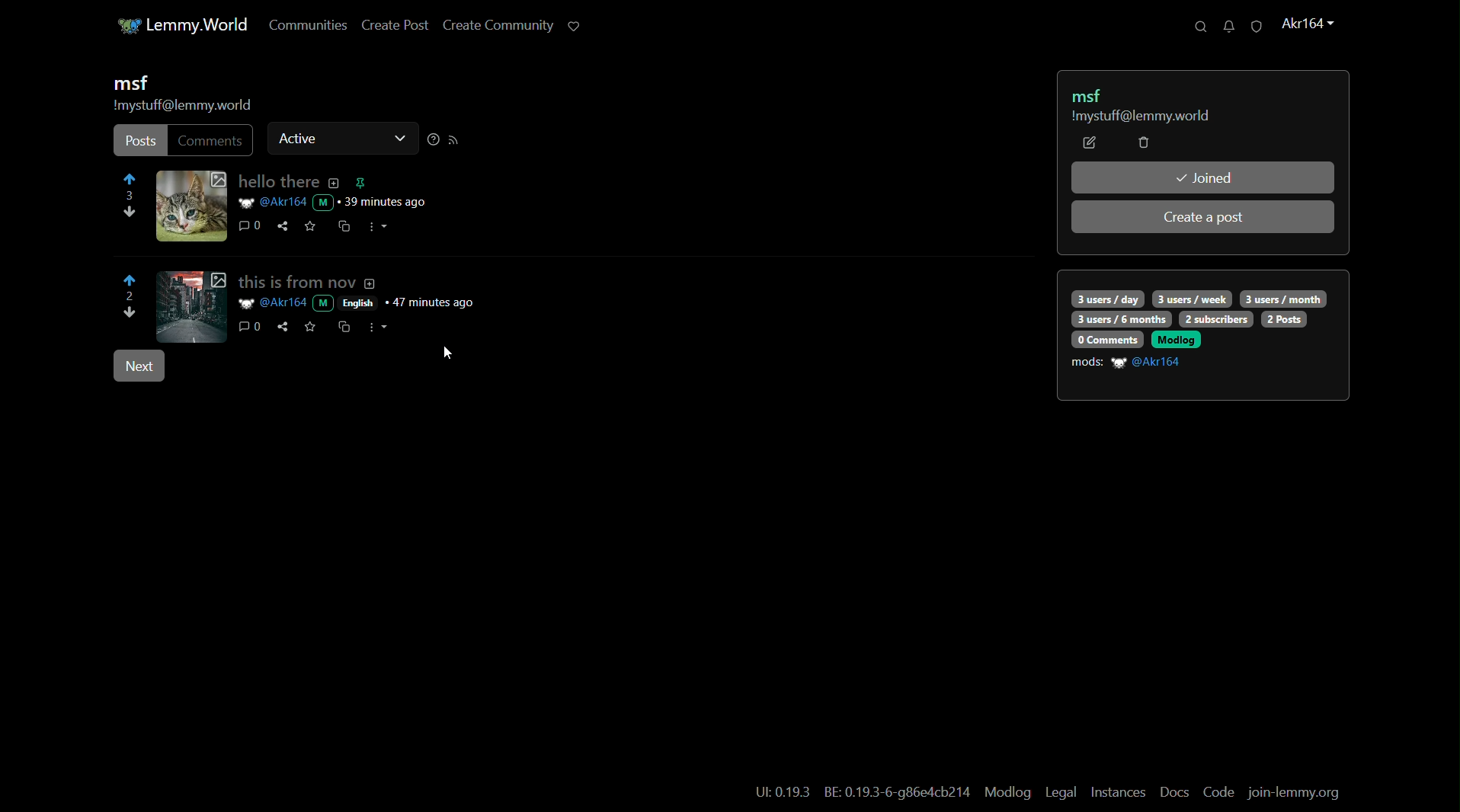  Describe the element at coordinates (283, 226) in the screenshot. I see `share` at that location.